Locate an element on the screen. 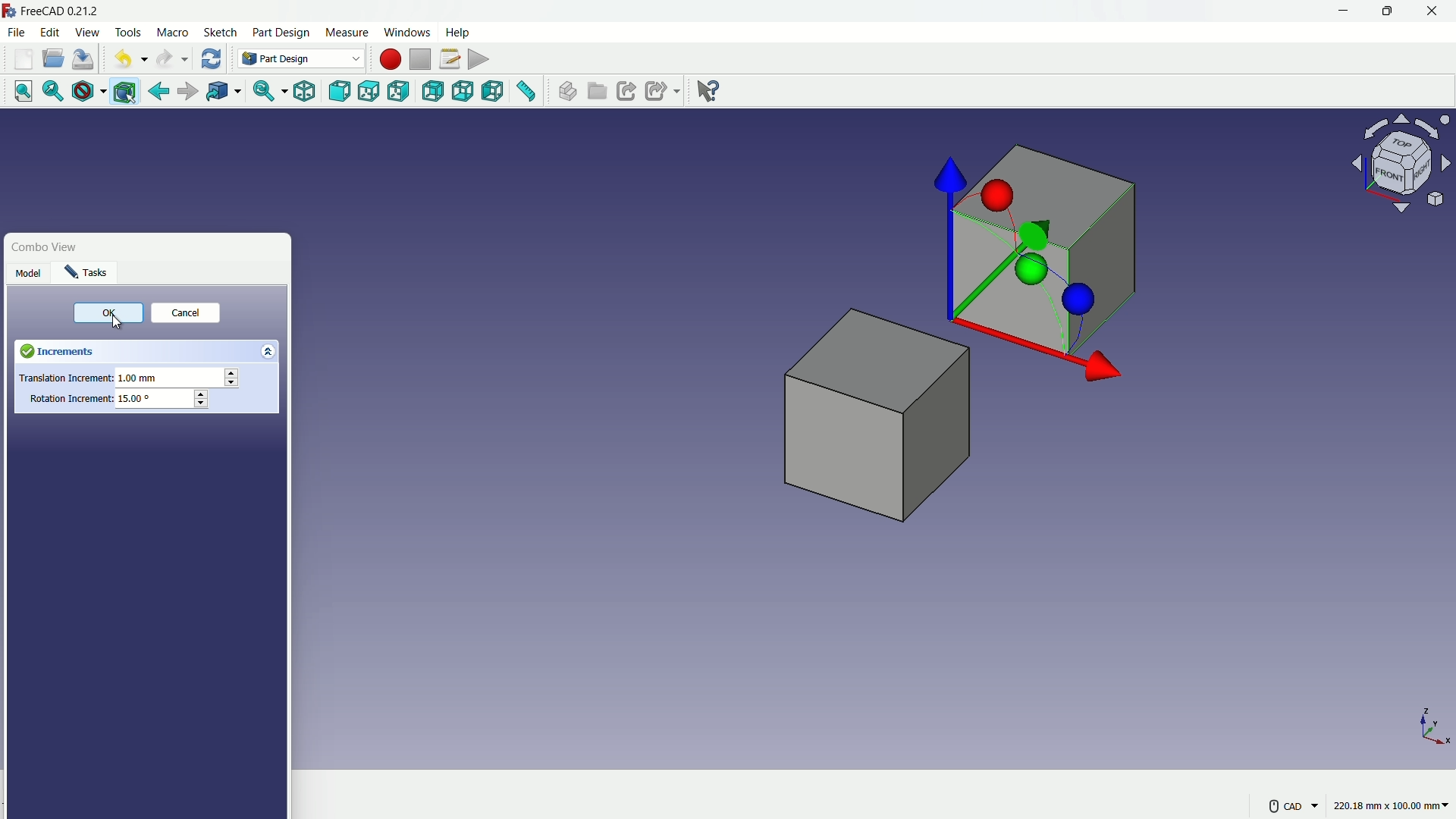 The height and width of the screenshot is (819, 1456). new file is located at coordinates (24, 59).